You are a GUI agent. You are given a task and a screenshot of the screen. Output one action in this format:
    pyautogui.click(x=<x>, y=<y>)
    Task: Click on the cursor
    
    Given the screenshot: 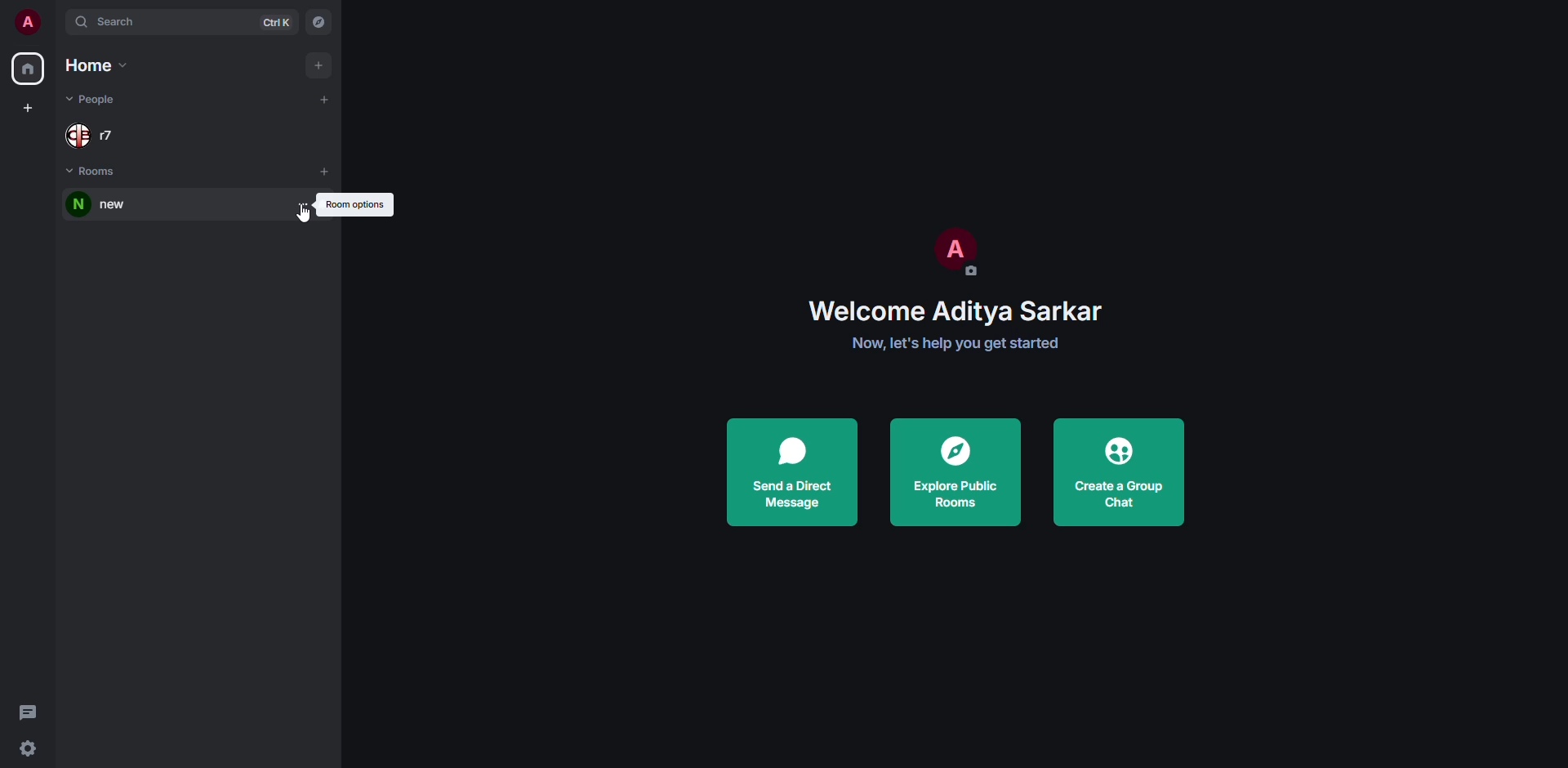 What is the action you would take?
    pyautogui.click(x=305, y=217)
    